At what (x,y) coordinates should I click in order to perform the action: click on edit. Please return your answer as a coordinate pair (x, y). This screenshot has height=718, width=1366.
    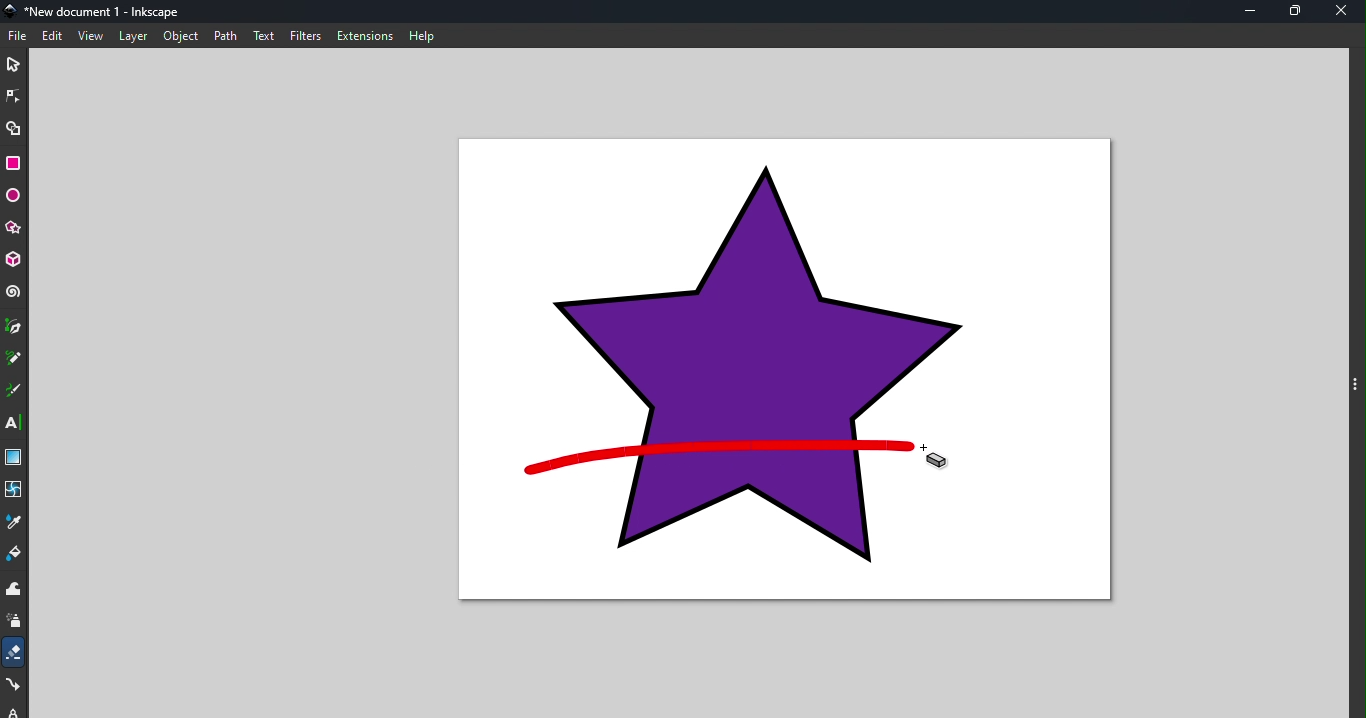
    Looking at the image, I should click on (54, 36).